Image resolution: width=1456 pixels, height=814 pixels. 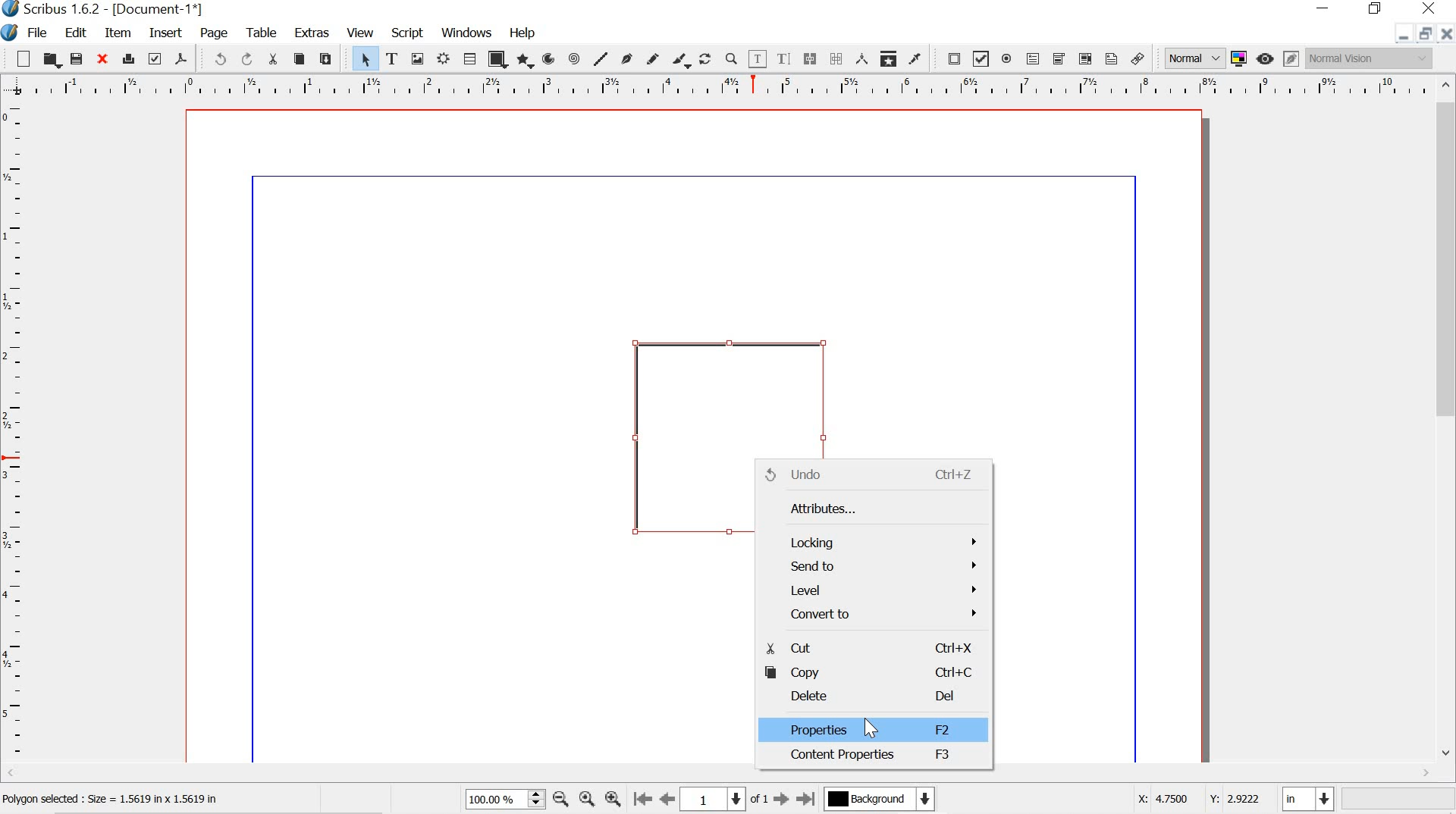 I want to click on normal, so click(x=1194, y=58).